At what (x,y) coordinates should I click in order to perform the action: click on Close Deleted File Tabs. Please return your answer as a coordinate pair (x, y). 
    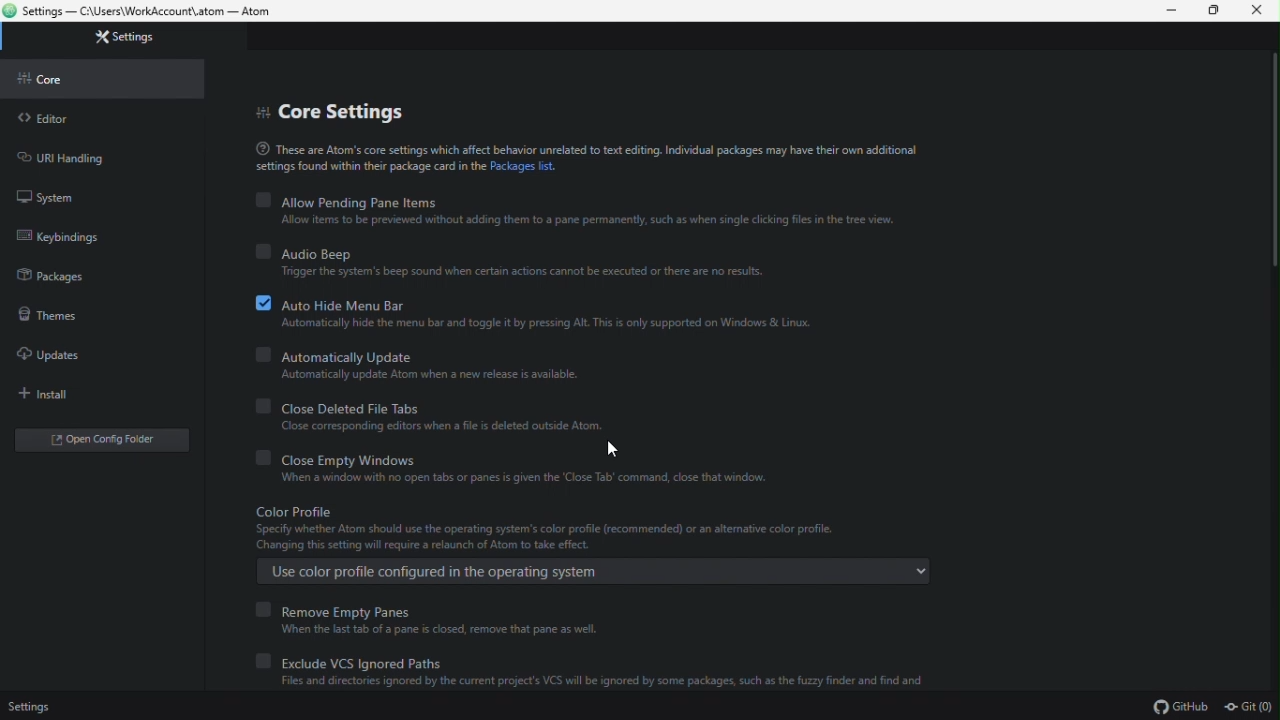
    Looking at the image, I should click on (563, 404).